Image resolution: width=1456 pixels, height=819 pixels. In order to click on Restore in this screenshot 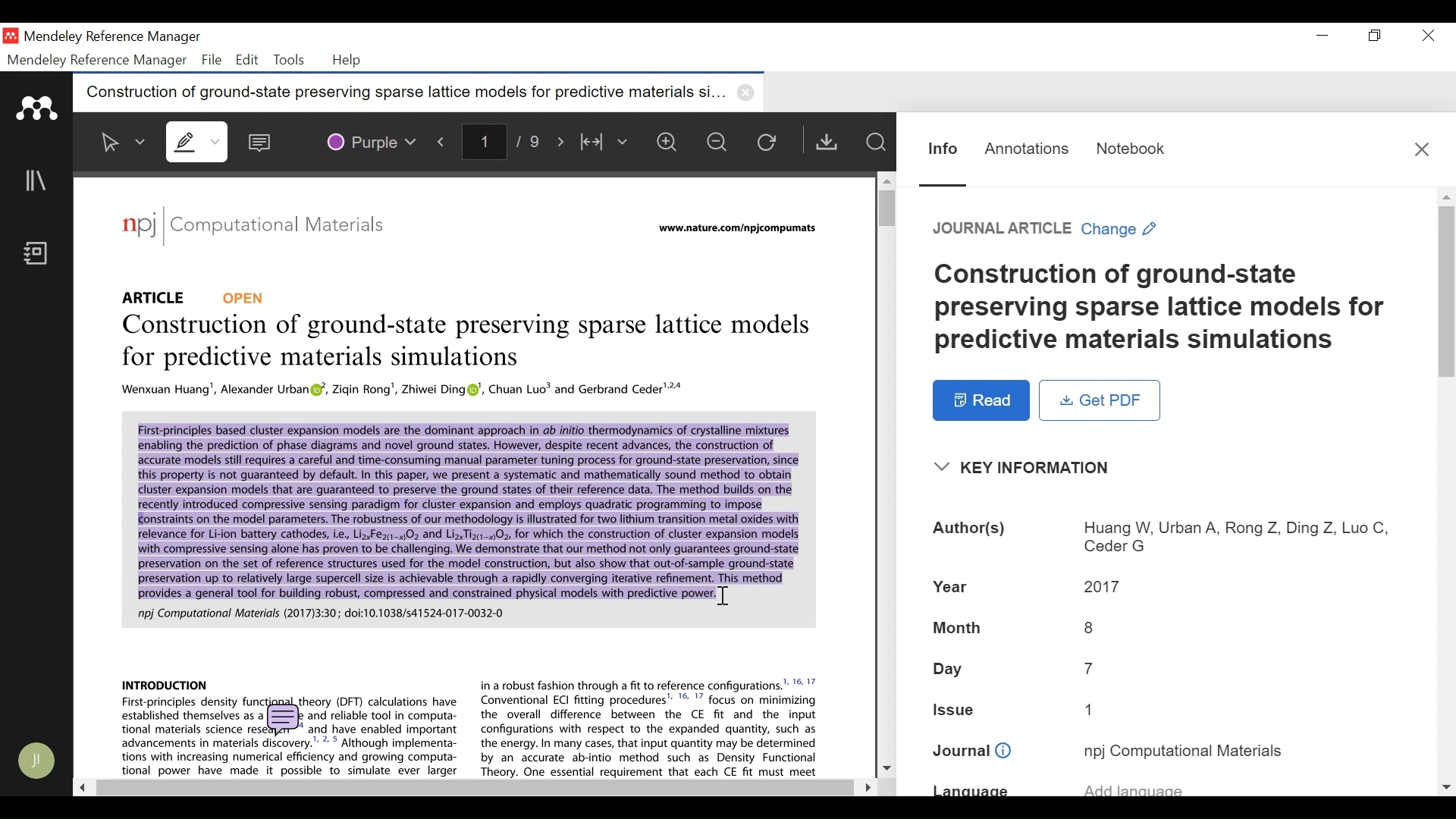, I will do `click(1376, 36)`.